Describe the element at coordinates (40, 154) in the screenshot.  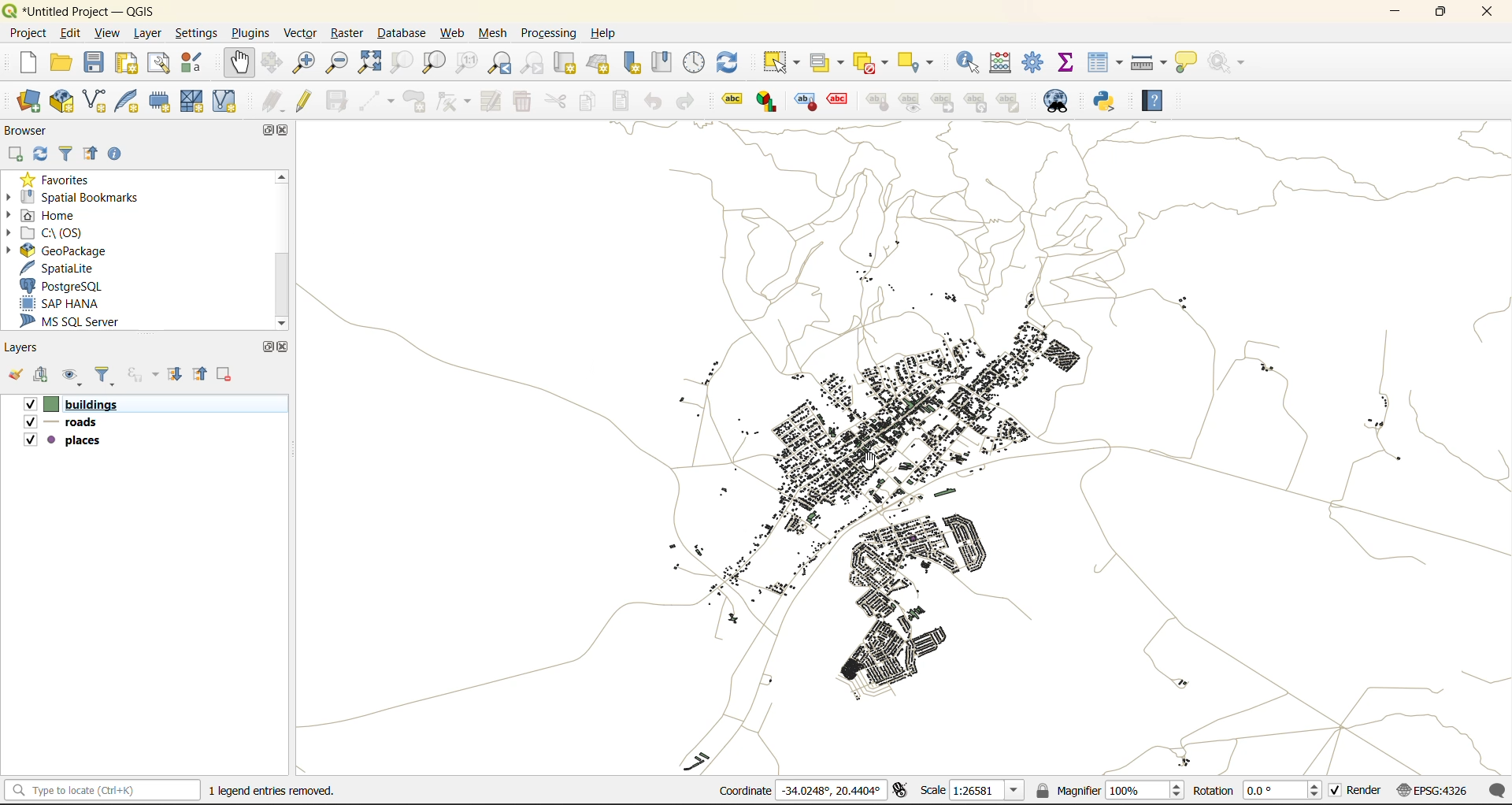
I see `refresh` at that location.